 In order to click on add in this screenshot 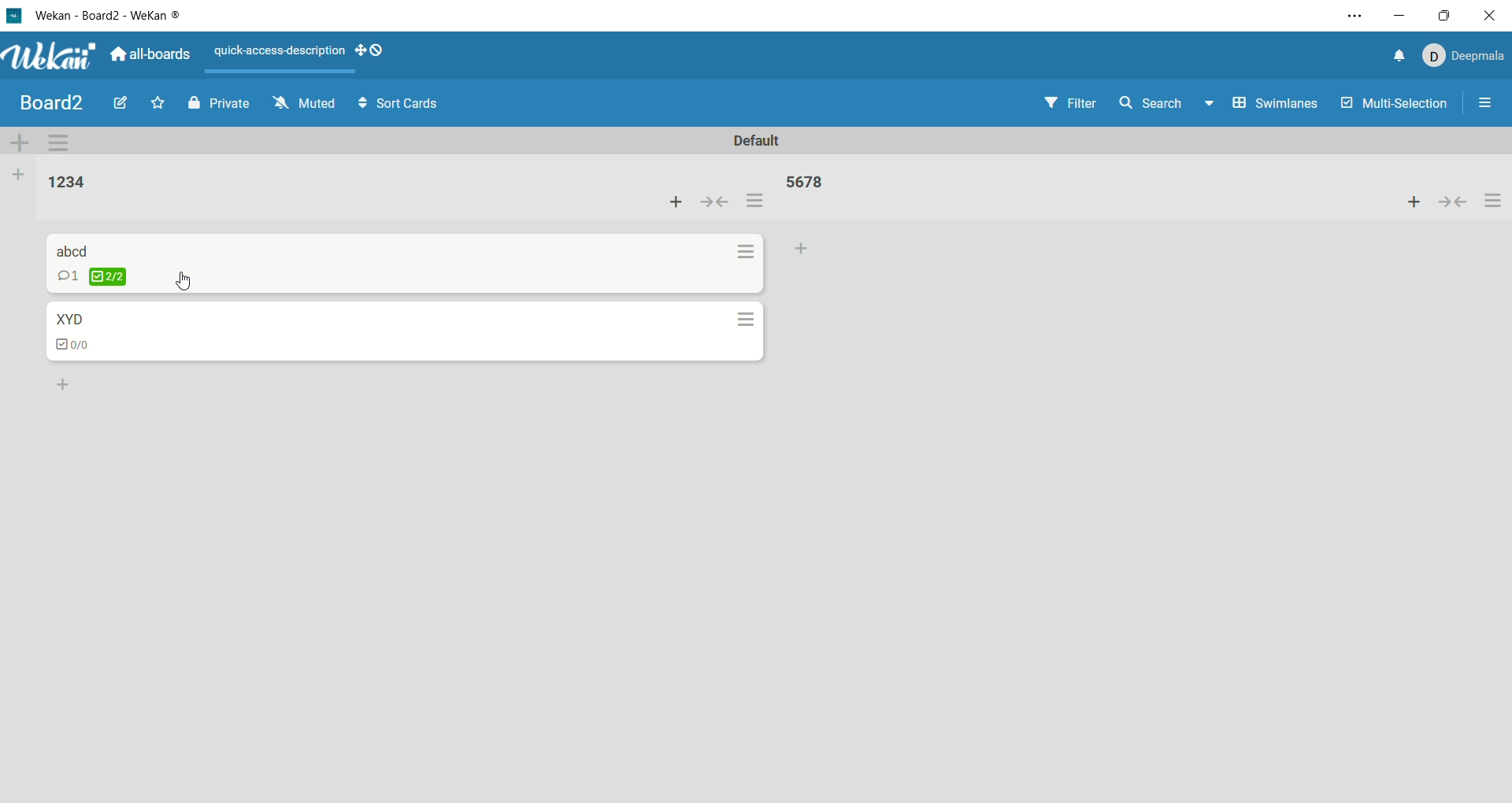, I will do `click(679, 203)`.